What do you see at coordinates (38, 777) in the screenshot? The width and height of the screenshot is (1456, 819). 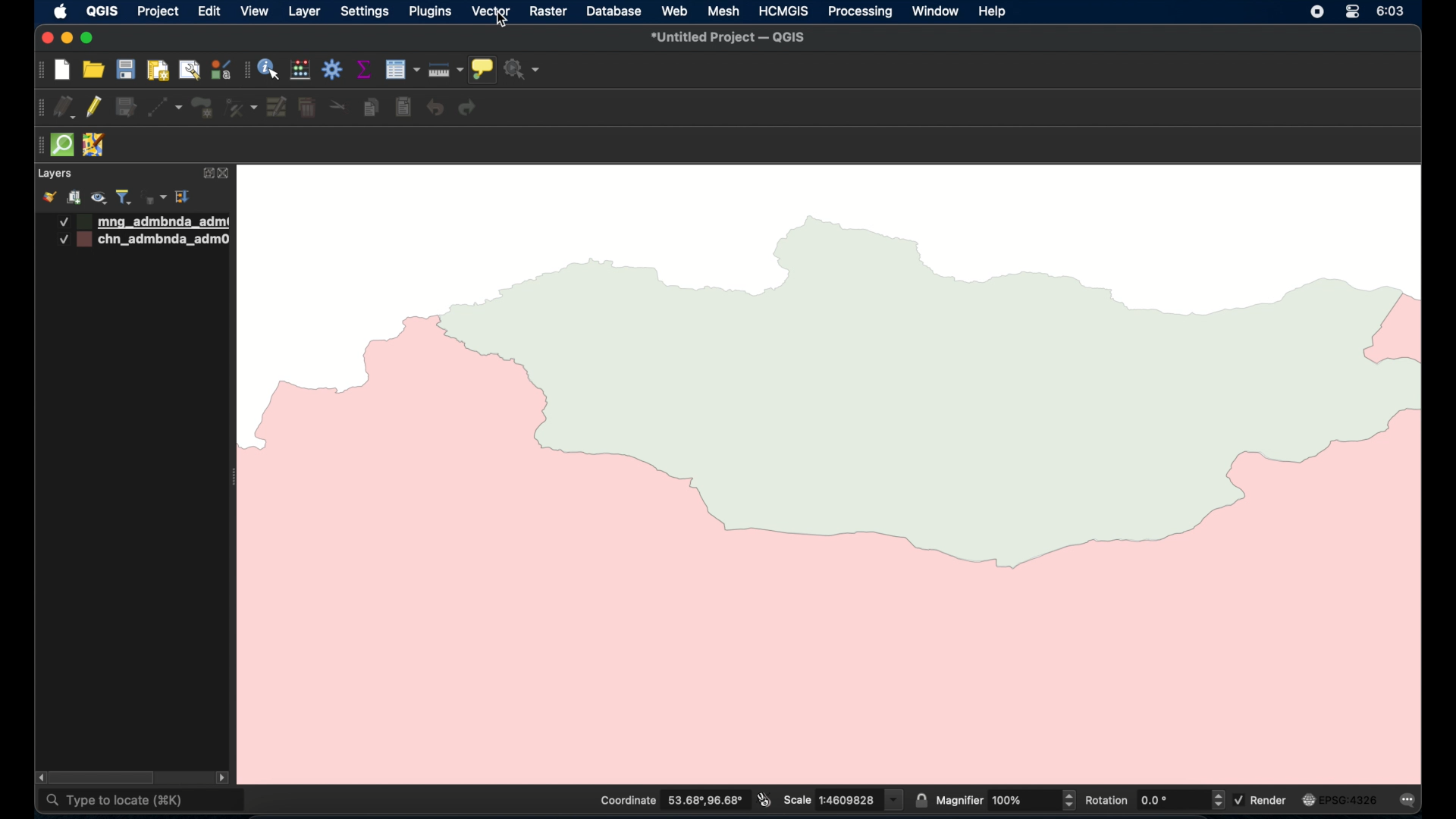 I see `scroll left arrow` at bounding box center [38, 777].